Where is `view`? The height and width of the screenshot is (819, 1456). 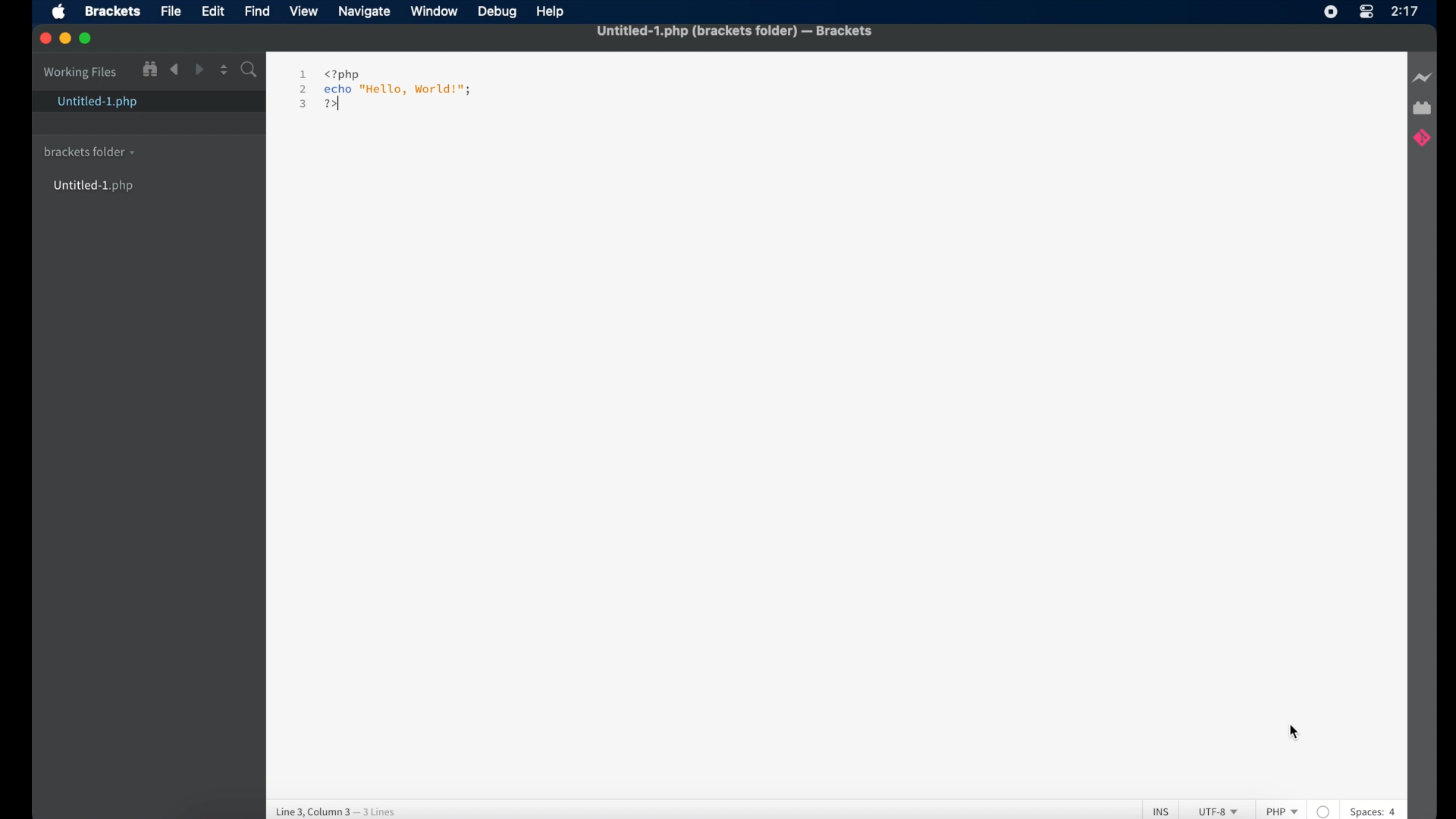 view is located at coordinates (304, 12).